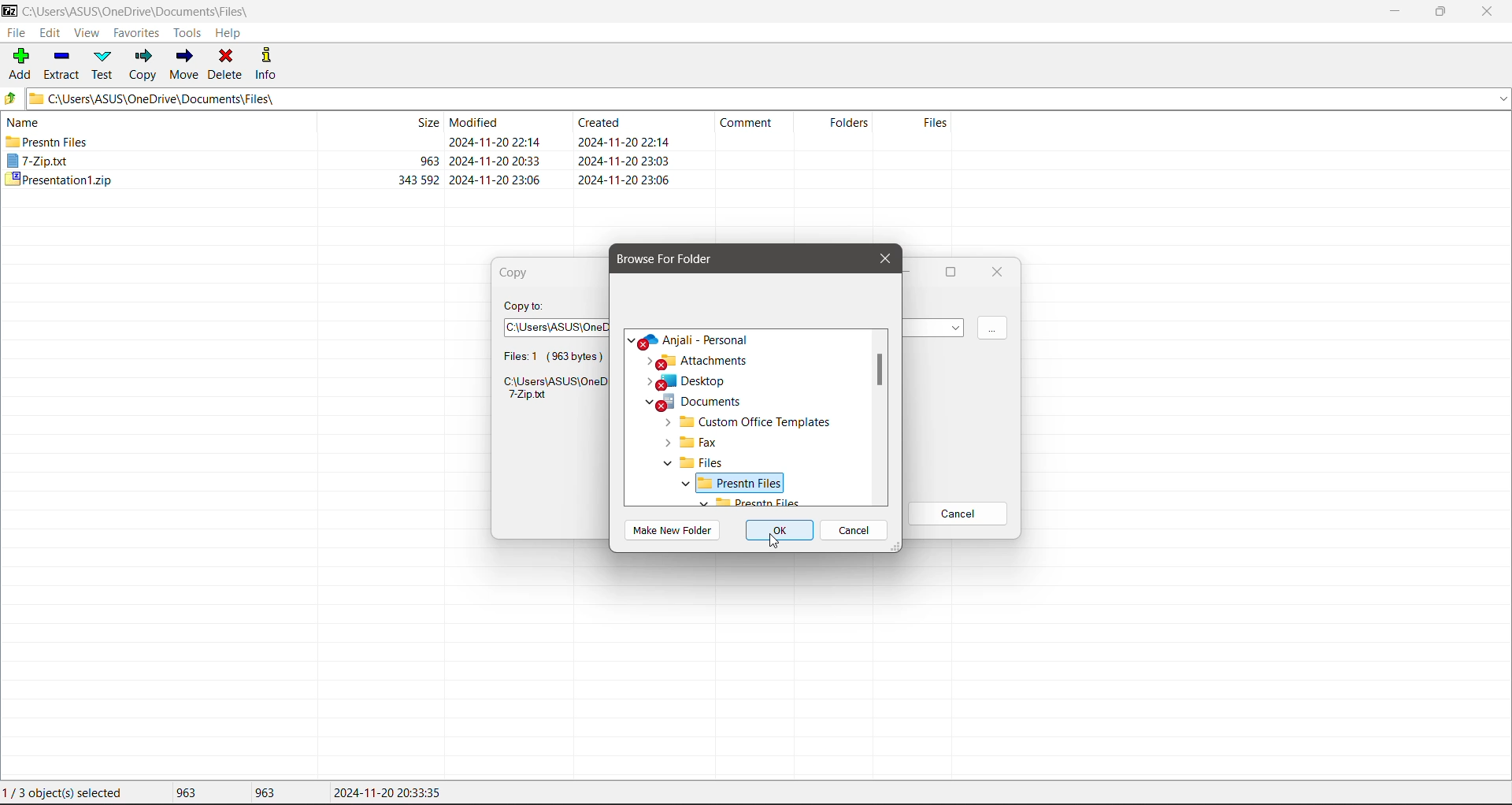 This screenshot has width=1512, height=805. I want to click on Test, so click(104, 65).